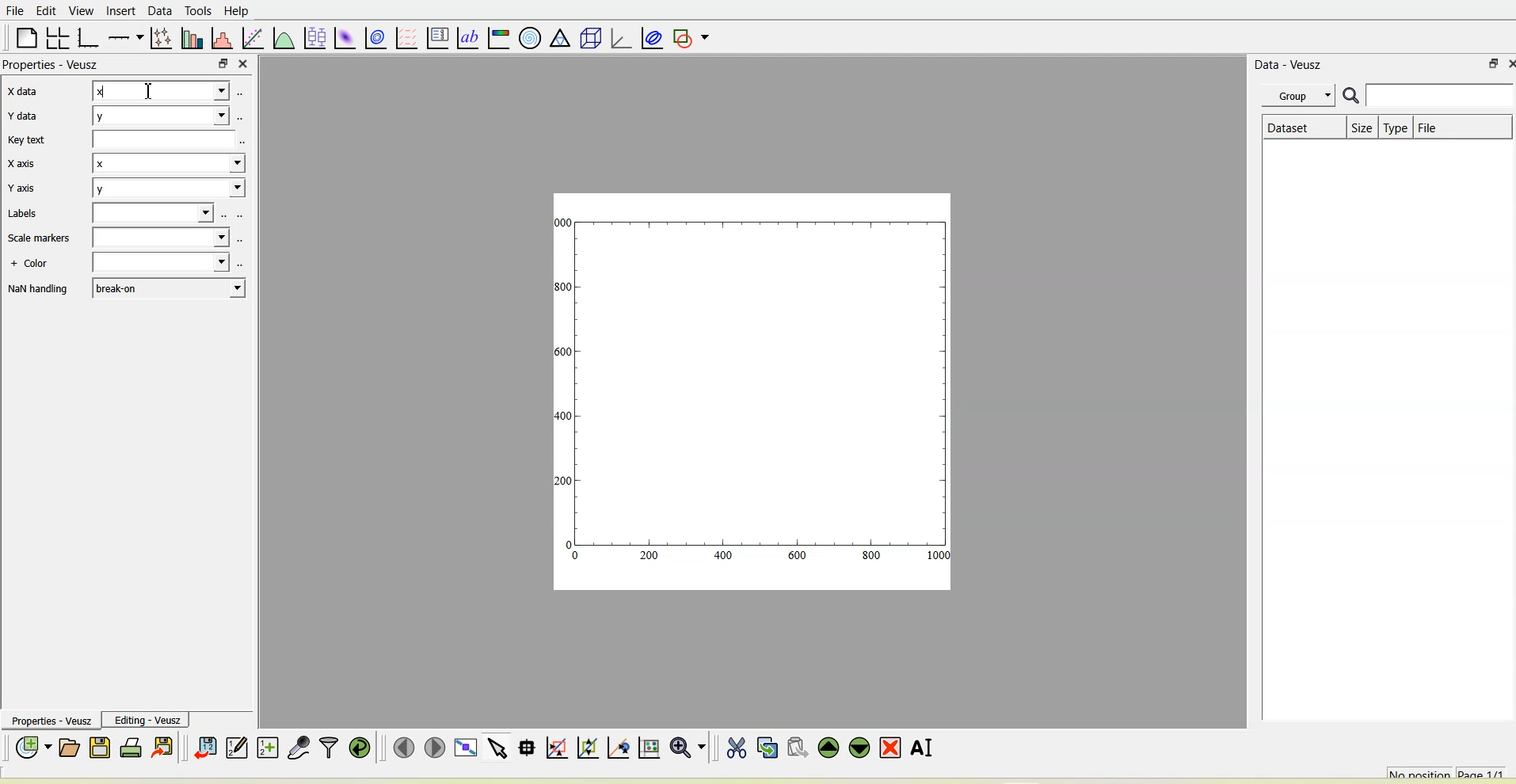 This screenshot has height=784, width=1516. I want to click on 3d scene, so click(588, 37).